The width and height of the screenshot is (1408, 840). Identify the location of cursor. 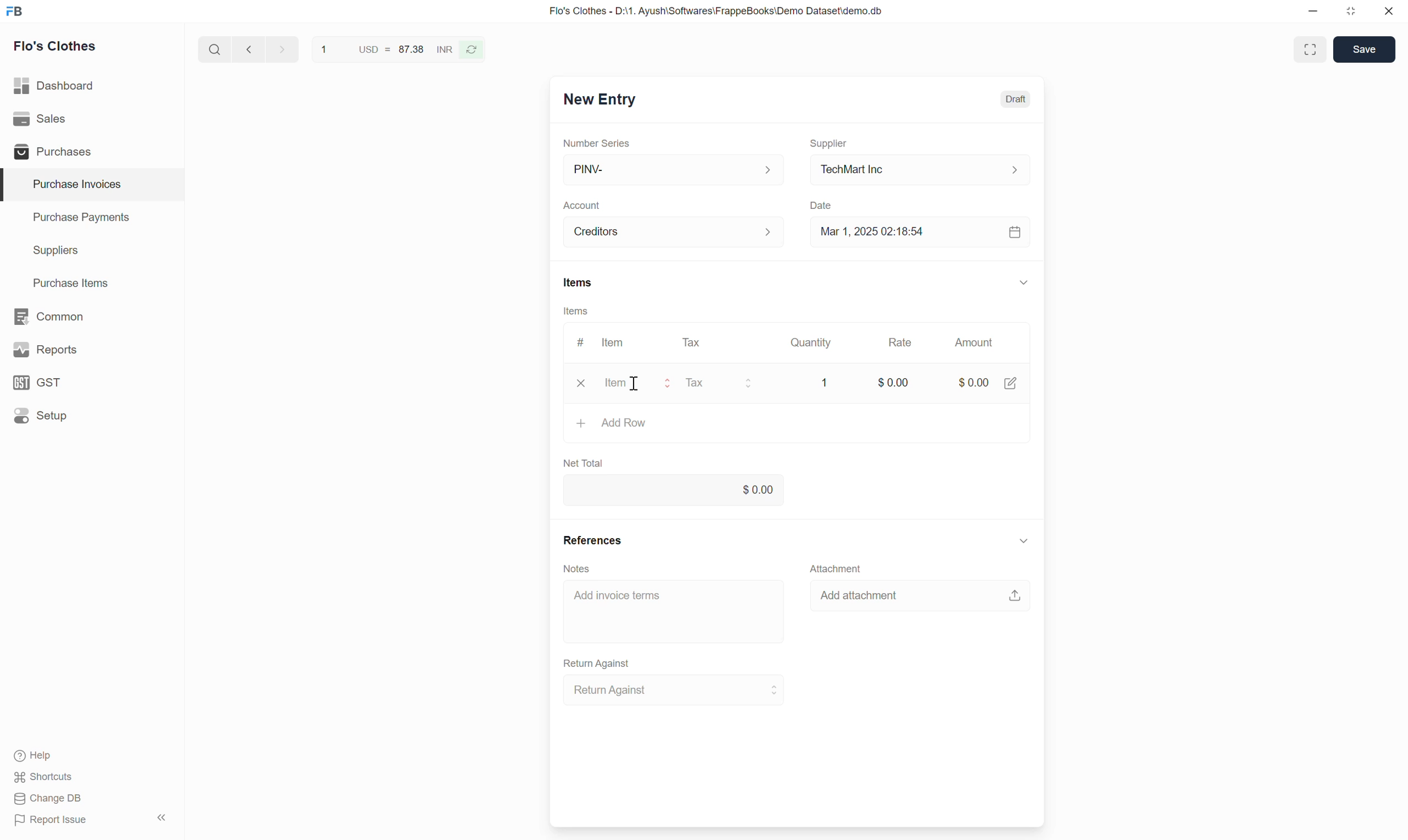
(635, 387).